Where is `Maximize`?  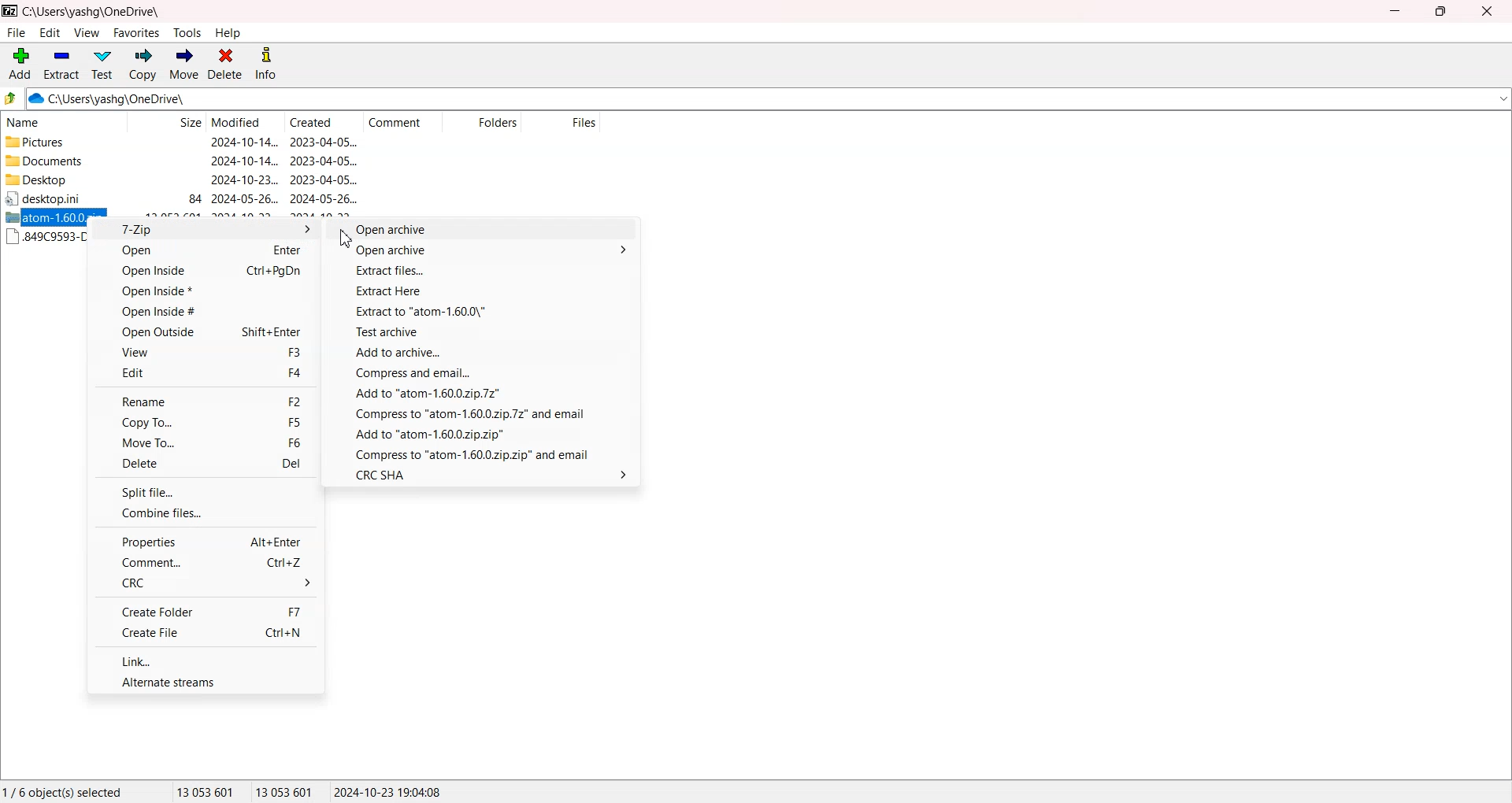 Maximize is located at coordinates (1440, 11).